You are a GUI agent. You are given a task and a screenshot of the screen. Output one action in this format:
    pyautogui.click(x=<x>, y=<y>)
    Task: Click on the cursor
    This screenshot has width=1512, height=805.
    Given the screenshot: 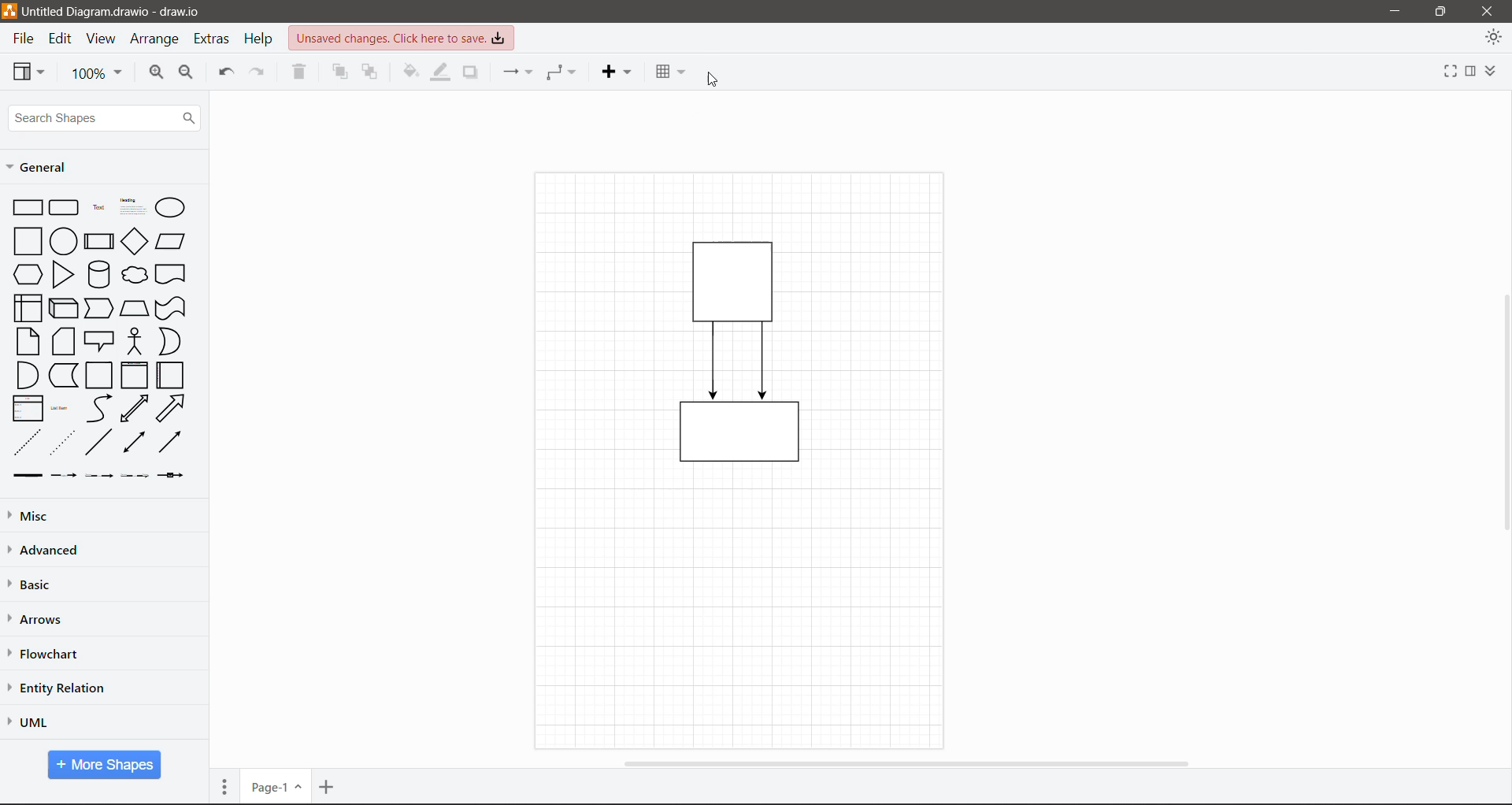 What is the action you would take?
    pyautogui.click(x=721, y=72)
    